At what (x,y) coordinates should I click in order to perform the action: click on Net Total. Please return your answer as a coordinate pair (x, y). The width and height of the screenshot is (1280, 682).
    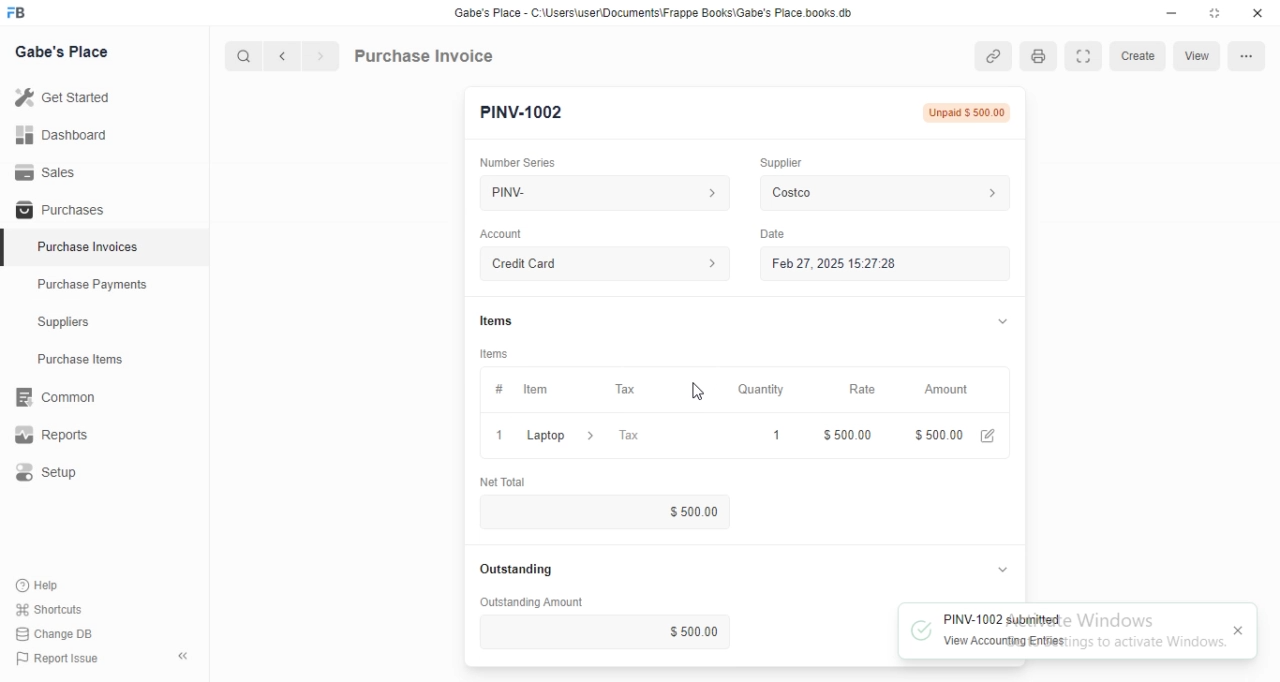
    Looking at the image, I should click on (502, 482).